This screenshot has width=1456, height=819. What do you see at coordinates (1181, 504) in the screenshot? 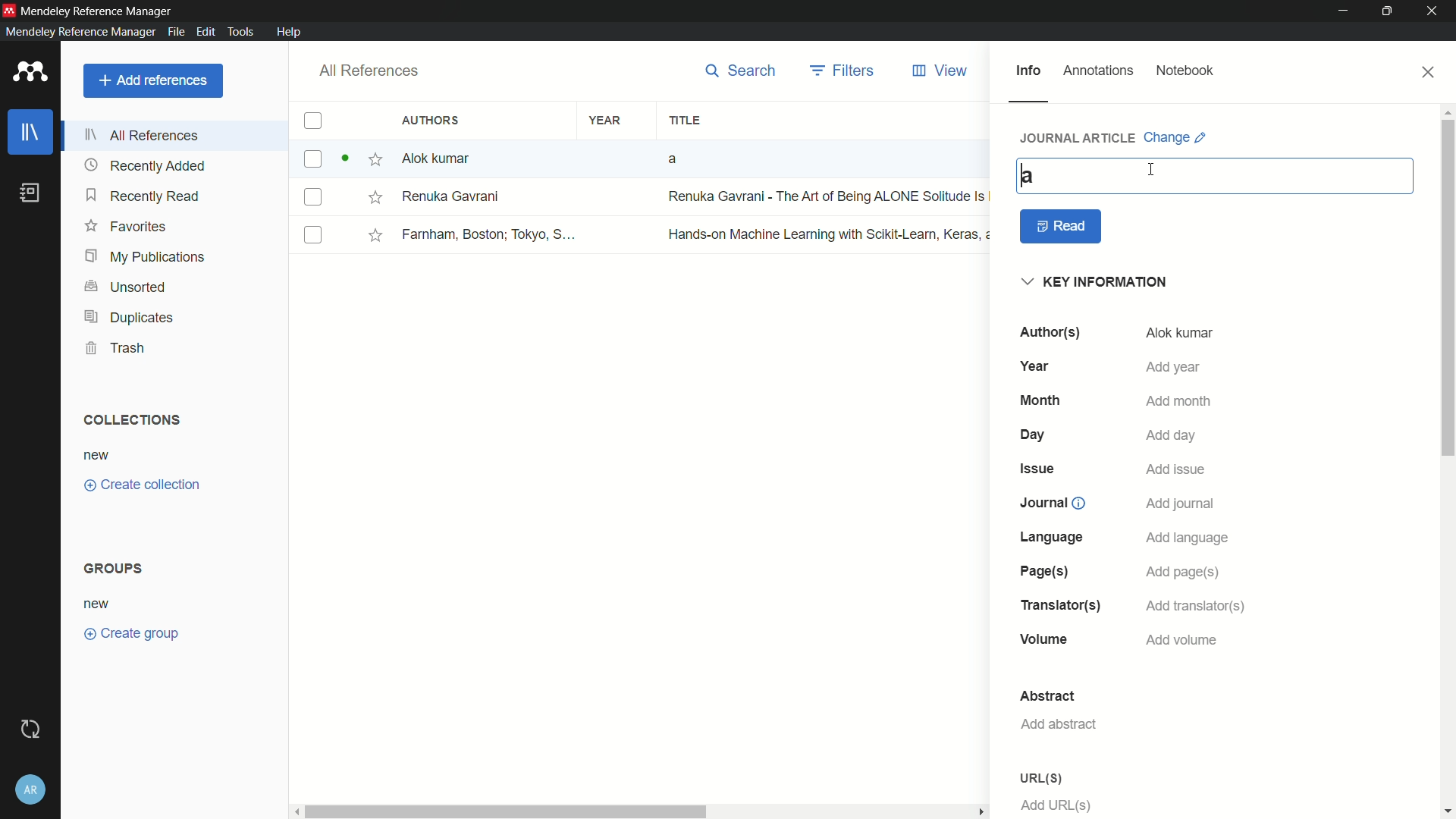
I see `add journal` at bounding box center [1181, 504].